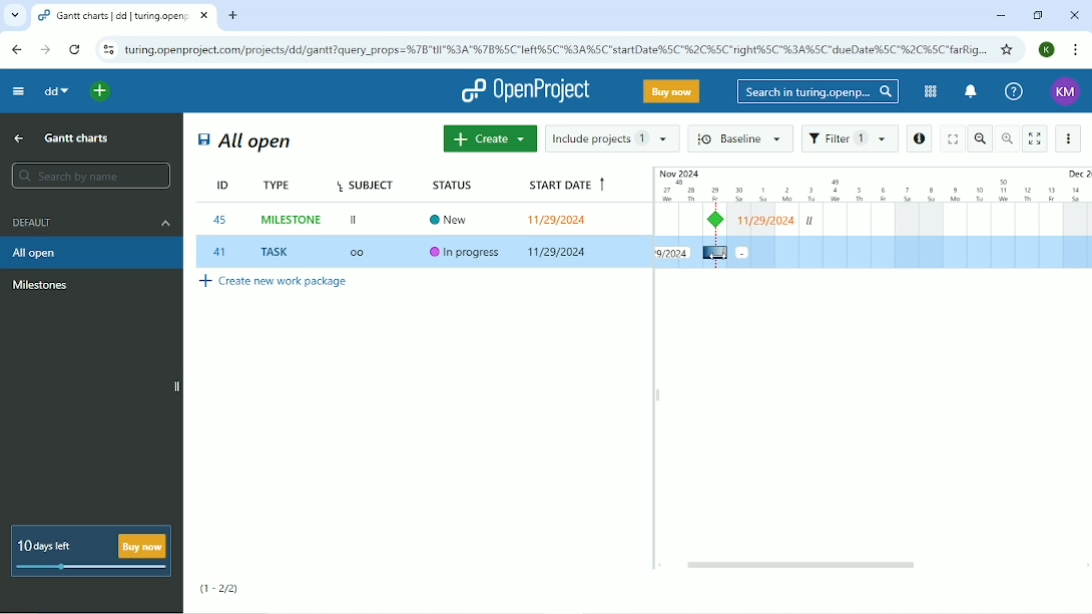 This screenshot has width=1092, height=614. I want to click on Customize and control google chrome, so click(1076, 51).